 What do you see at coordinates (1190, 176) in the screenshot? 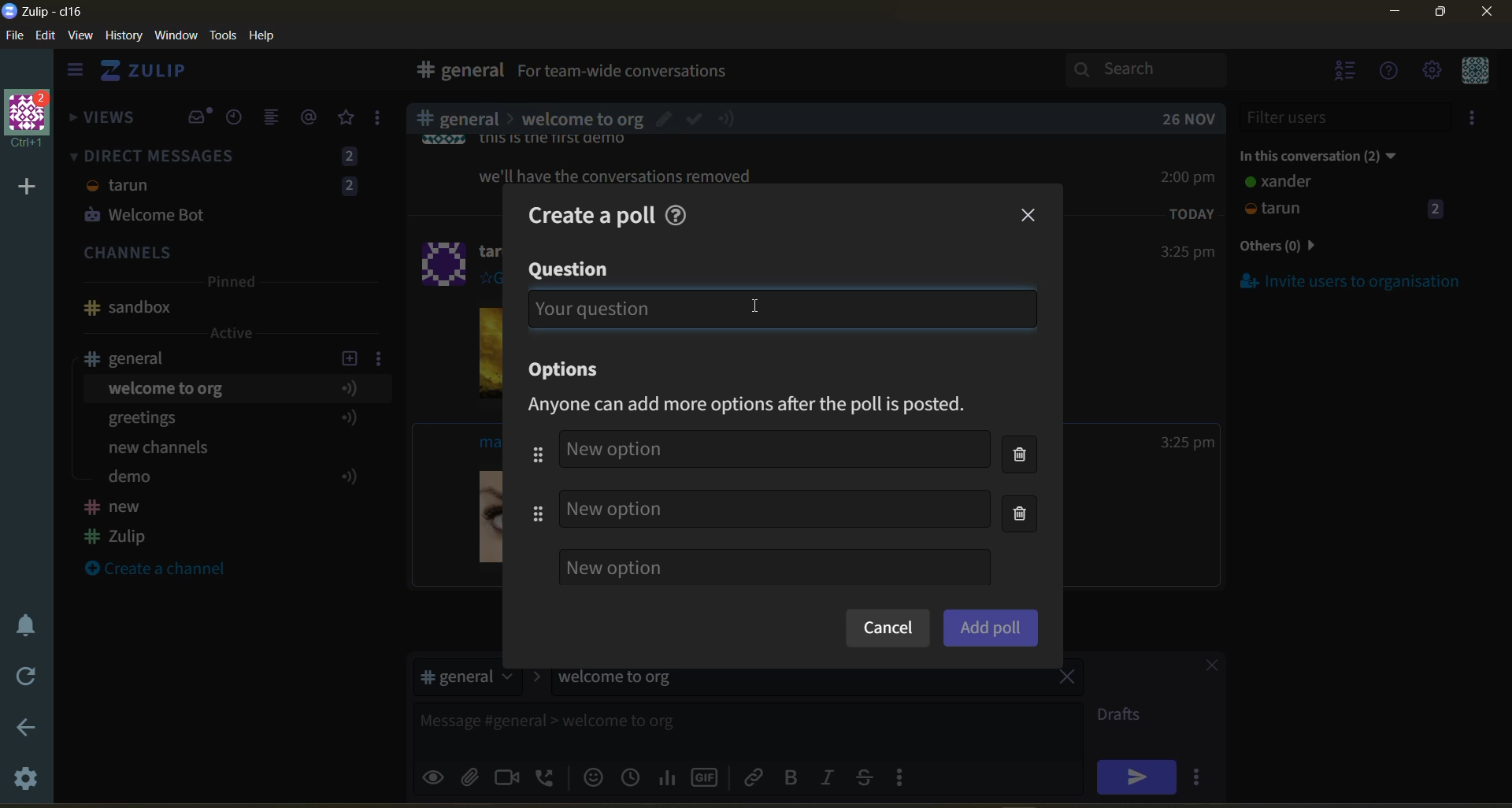
I see `2:00 pm` at bounding box center [1190, 176].